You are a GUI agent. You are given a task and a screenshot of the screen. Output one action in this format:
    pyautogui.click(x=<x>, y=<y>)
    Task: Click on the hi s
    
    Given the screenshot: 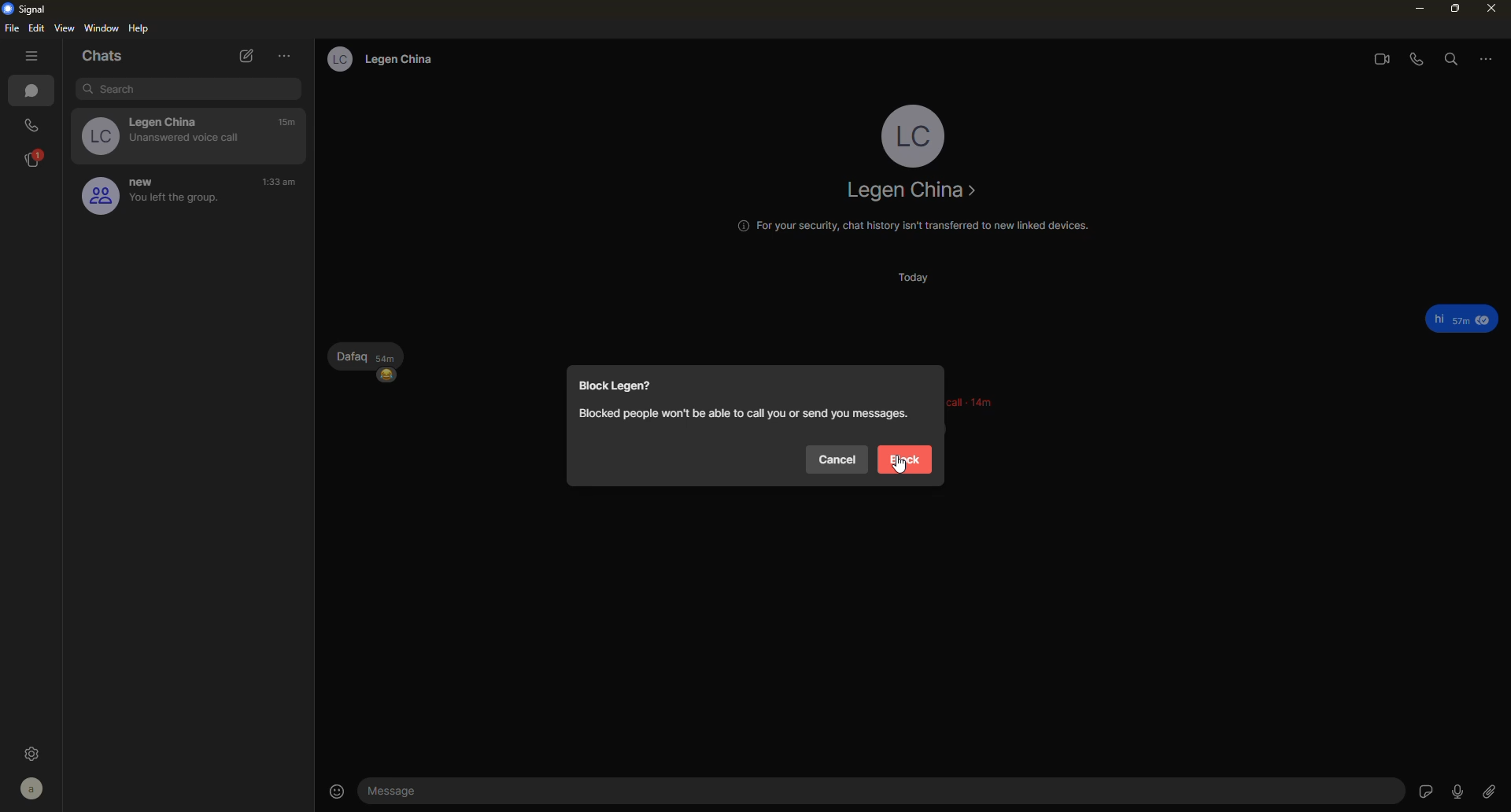 What is the action you would take?
    pyautogui.click(x=1453, y=316)
    